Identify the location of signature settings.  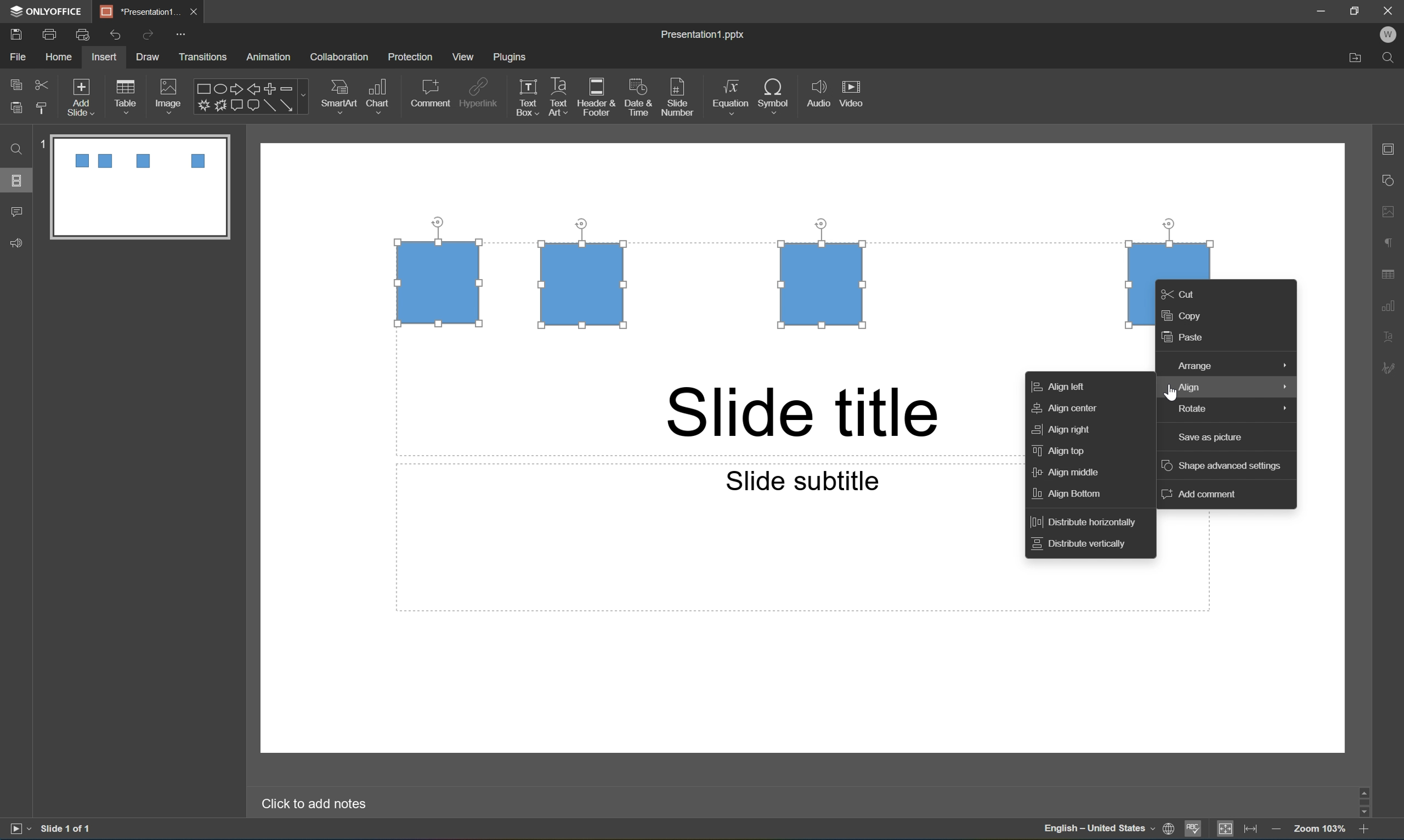
(1392, 368).